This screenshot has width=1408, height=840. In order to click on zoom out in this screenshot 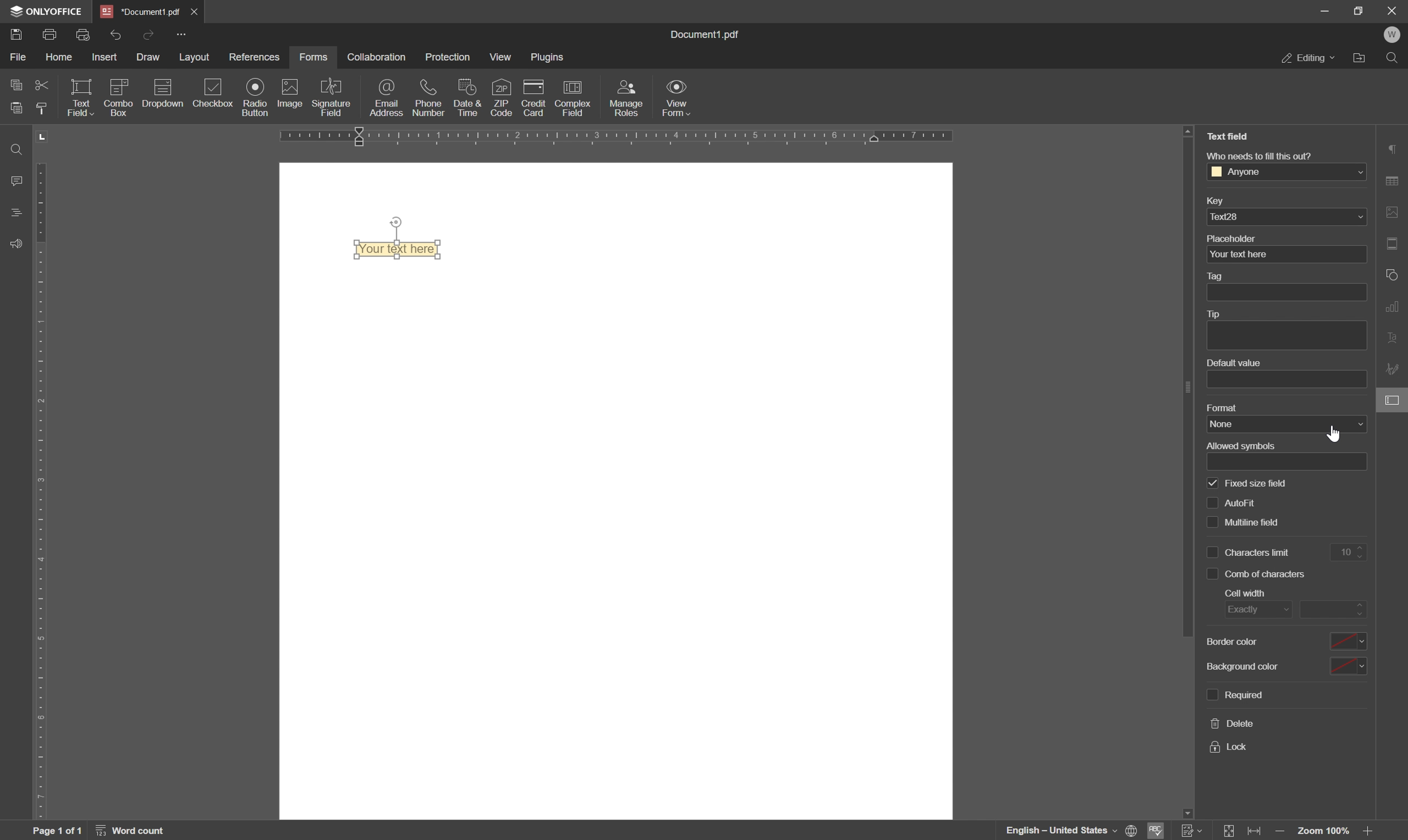, I will do `click(1371, 832)`.